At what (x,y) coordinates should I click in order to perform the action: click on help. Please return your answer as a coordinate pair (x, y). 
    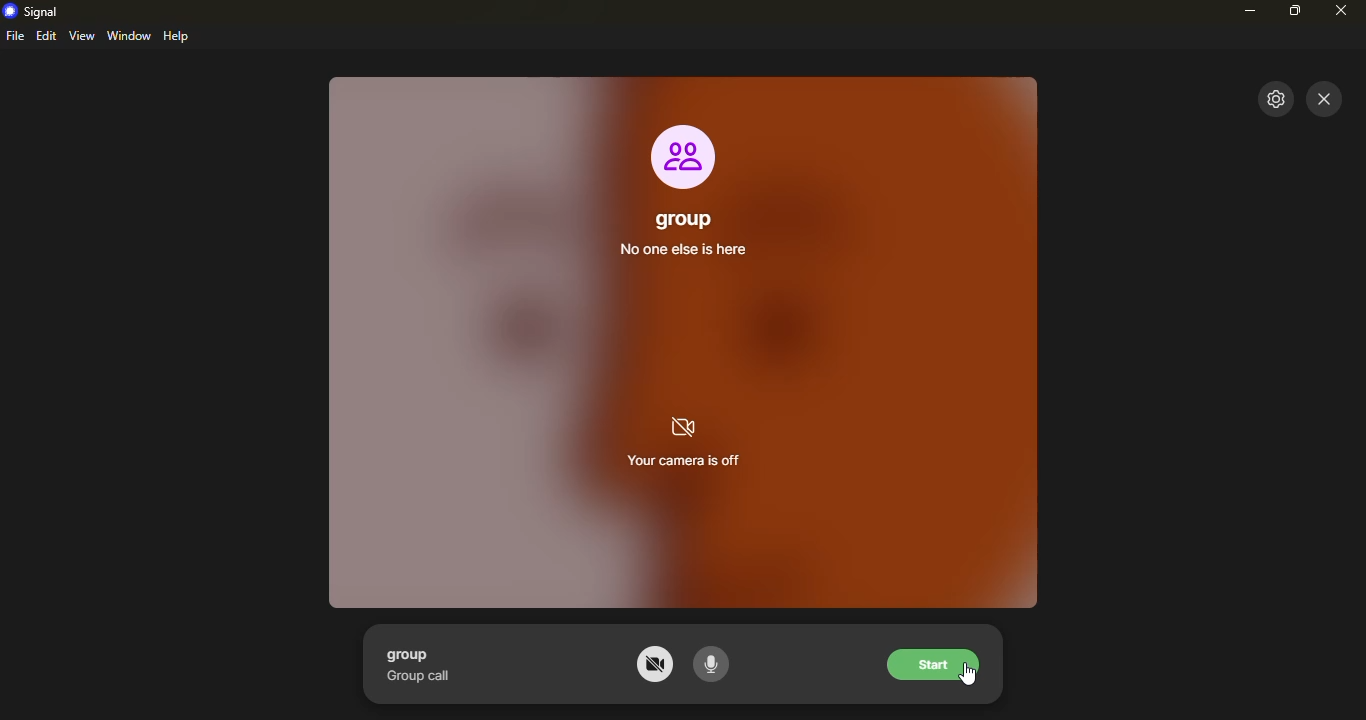
    Looking at the image, I should click on (179, 36).